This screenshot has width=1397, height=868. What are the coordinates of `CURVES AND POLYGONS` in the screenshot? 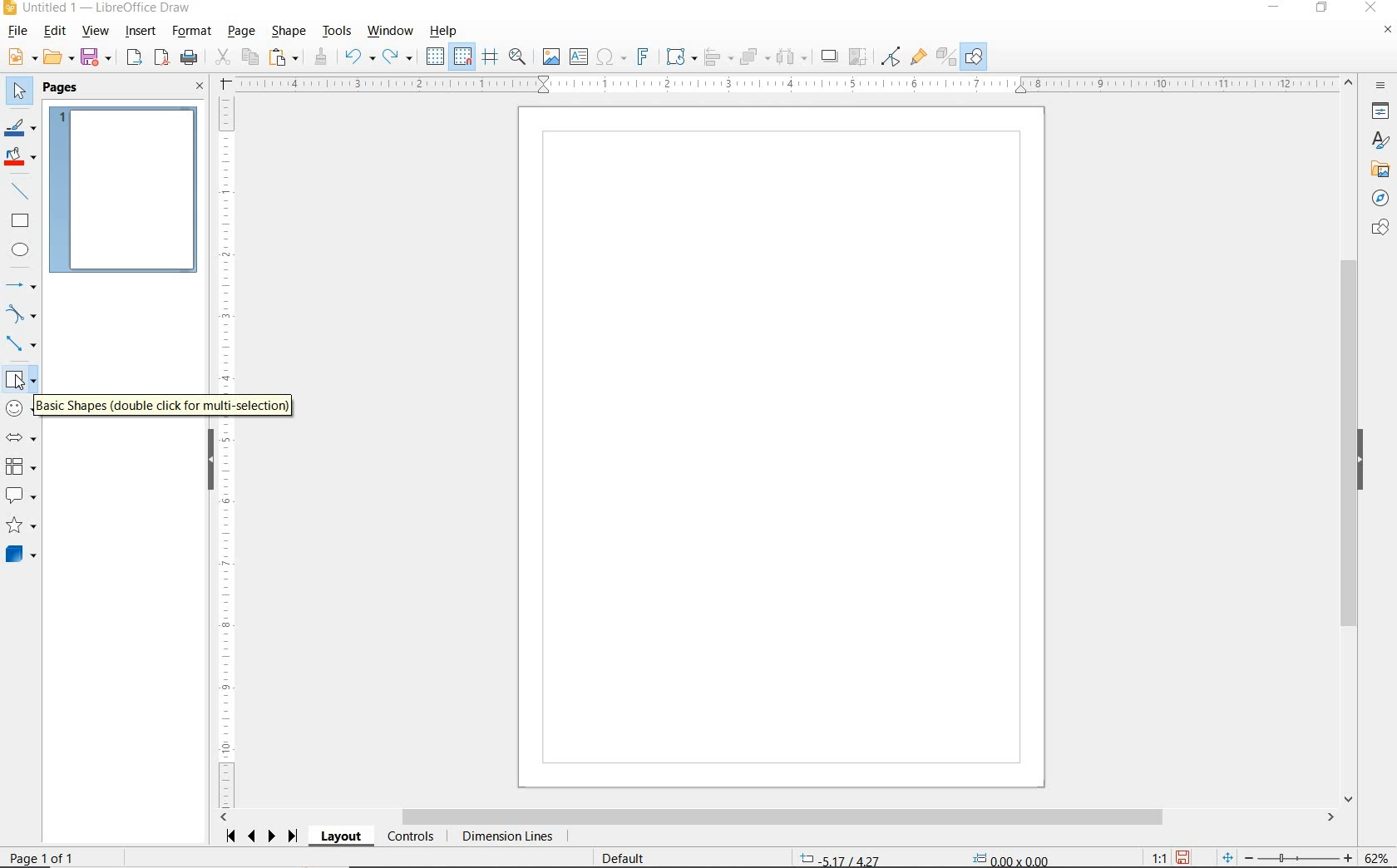 It's located at (22, 313).